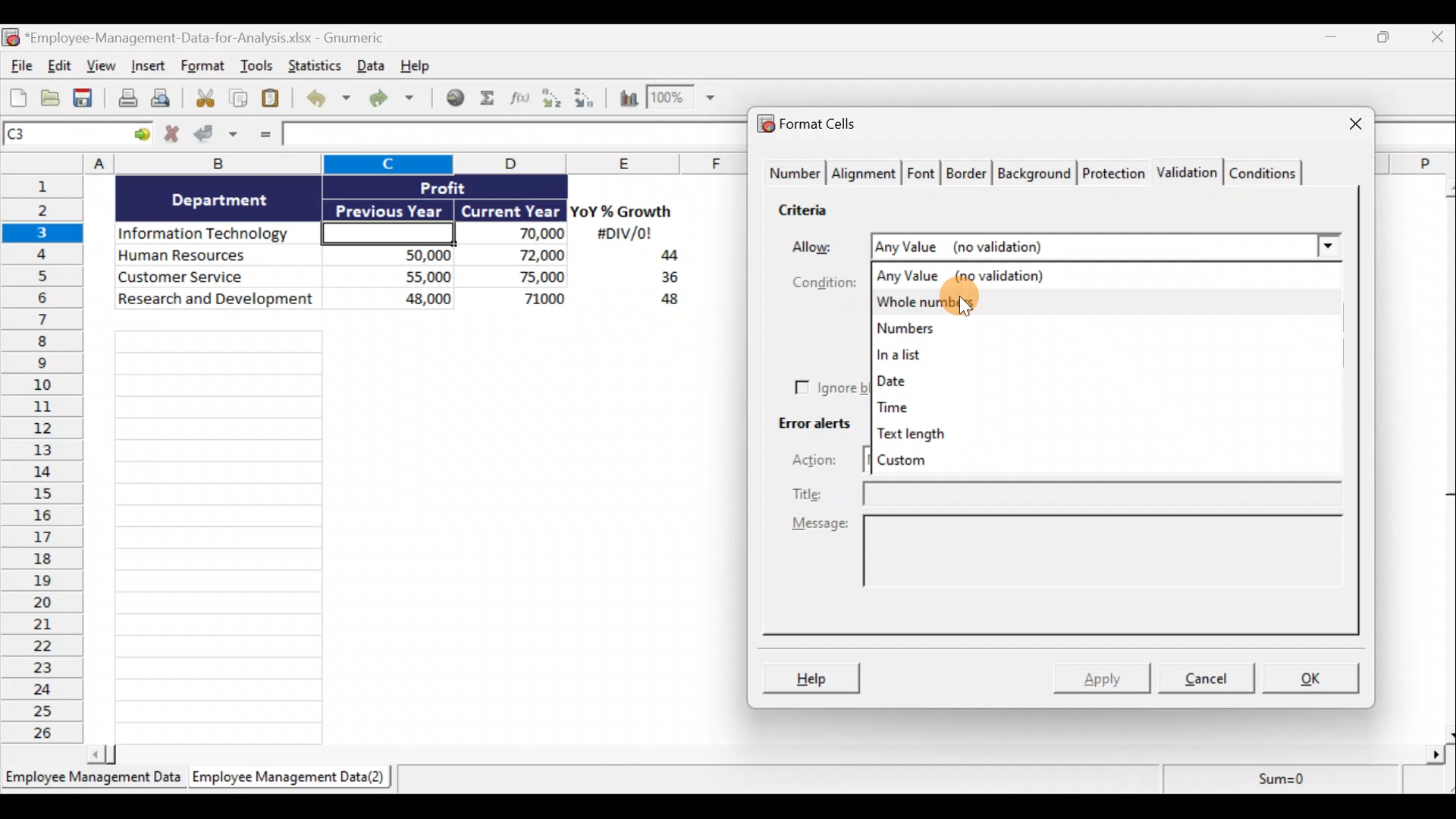 Image resolution: width=1456 pixels, height=819 pixels. I want to click on Cancel changes, so click(172, 136).